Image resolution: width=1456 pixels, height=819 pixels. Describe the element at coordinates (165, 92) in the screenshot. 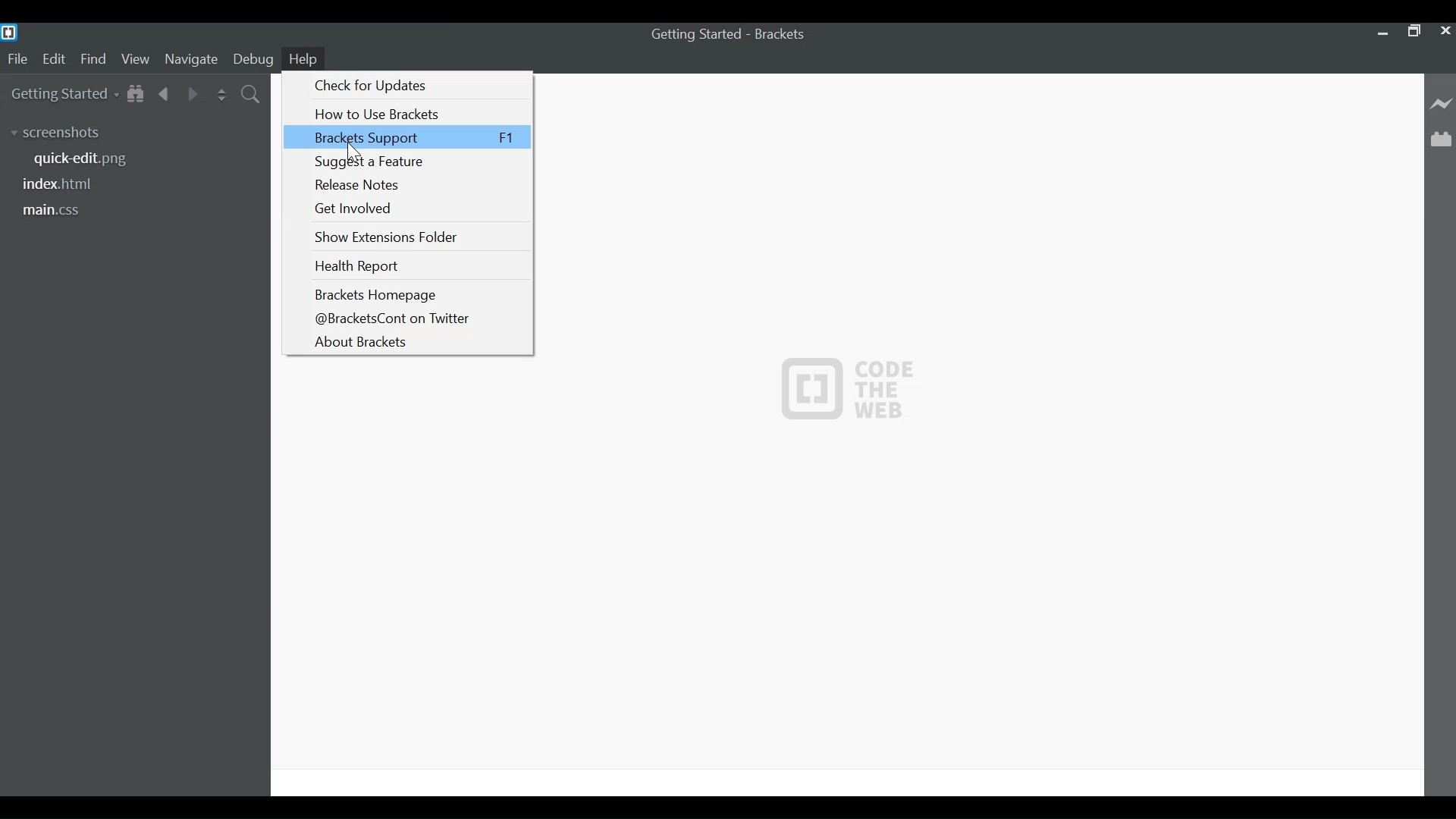

I see `Navigate Back` at that location.